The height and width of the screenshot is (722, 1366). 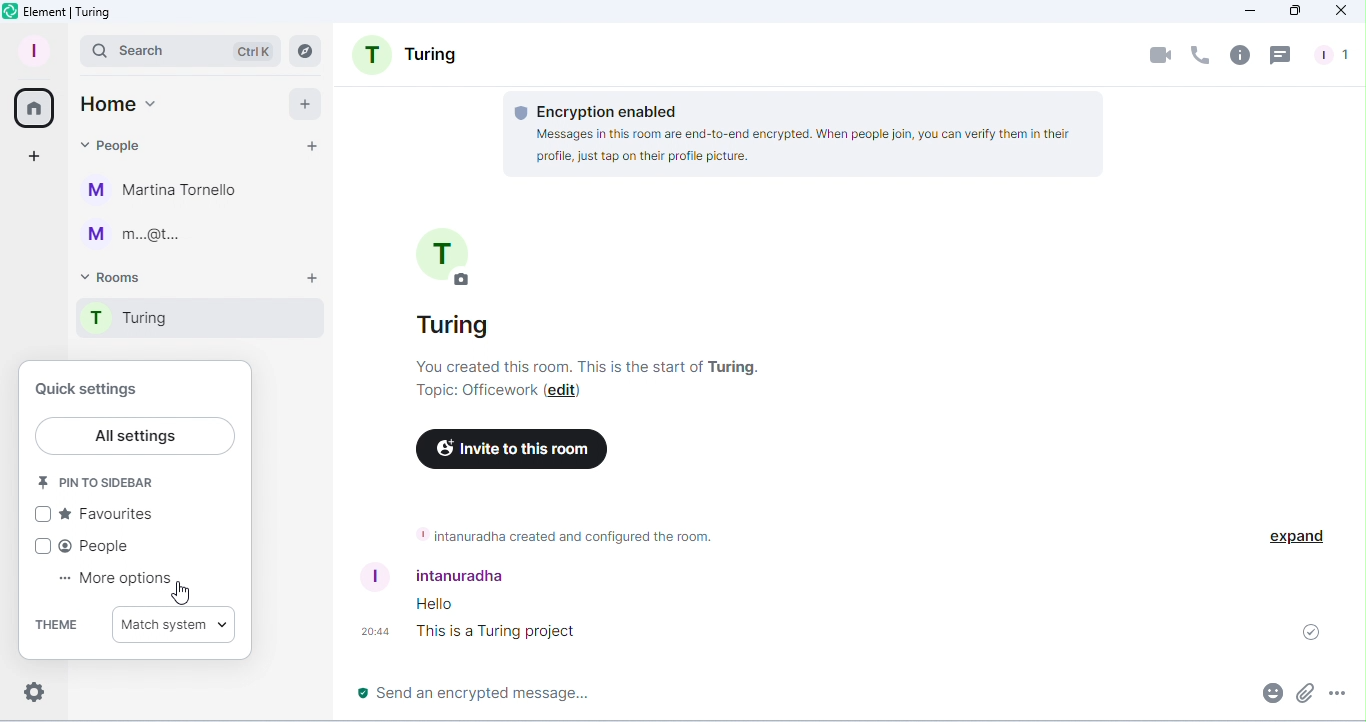 What do you see at coordinates (1295, 11) in the screenshot?
I see `Maximize` at bounding box center [1295, 11].